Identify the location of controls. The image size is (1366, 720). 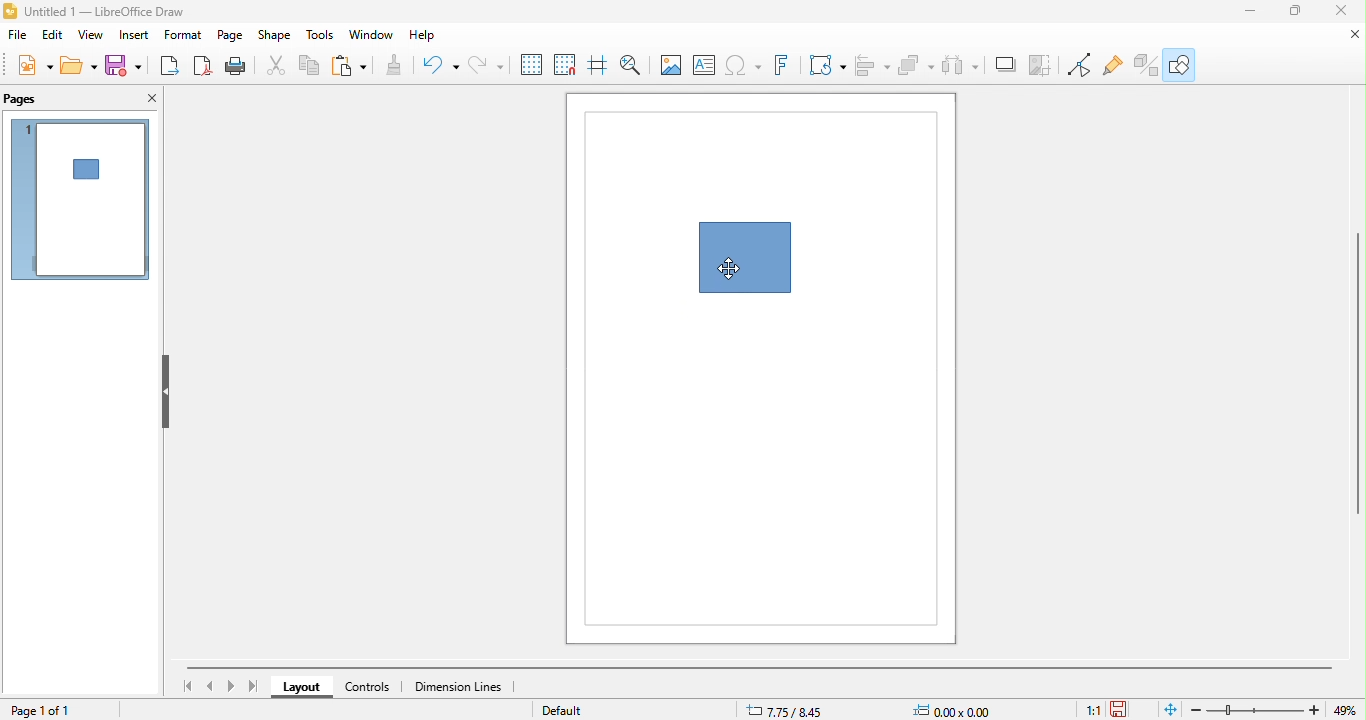
(374, 687).